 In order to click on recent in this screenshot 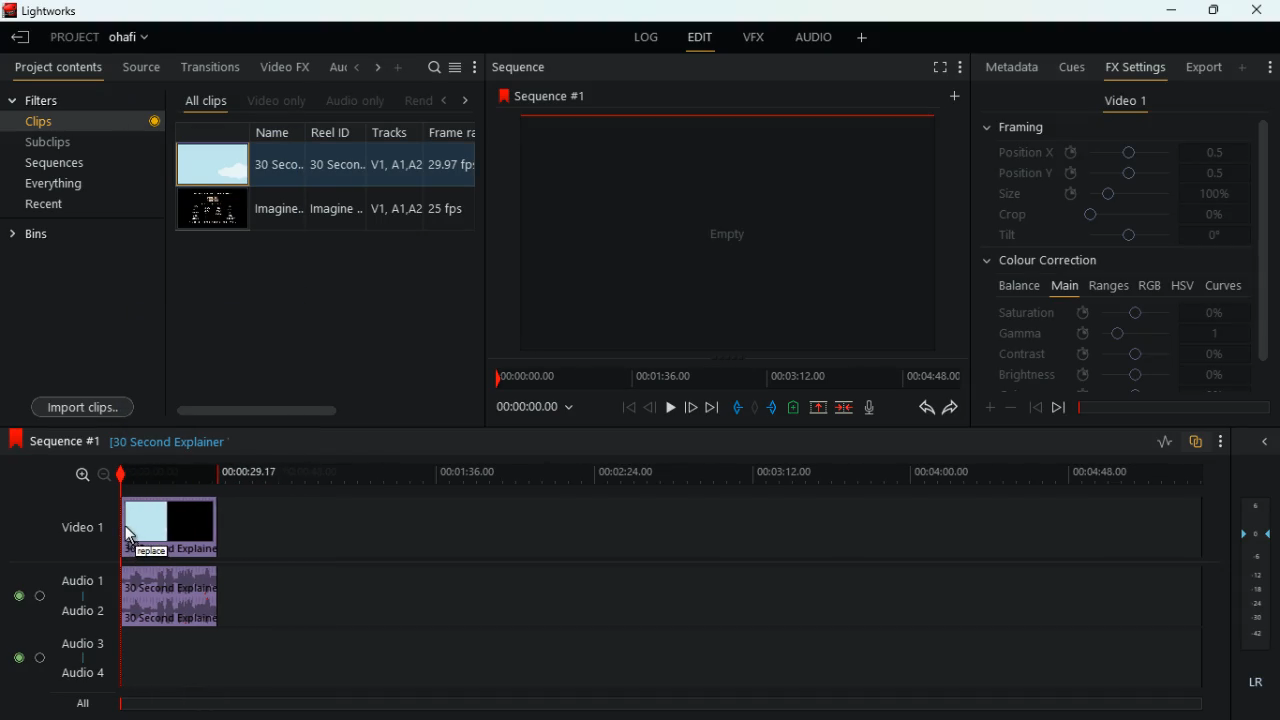, I will do `click(50, 207)`.